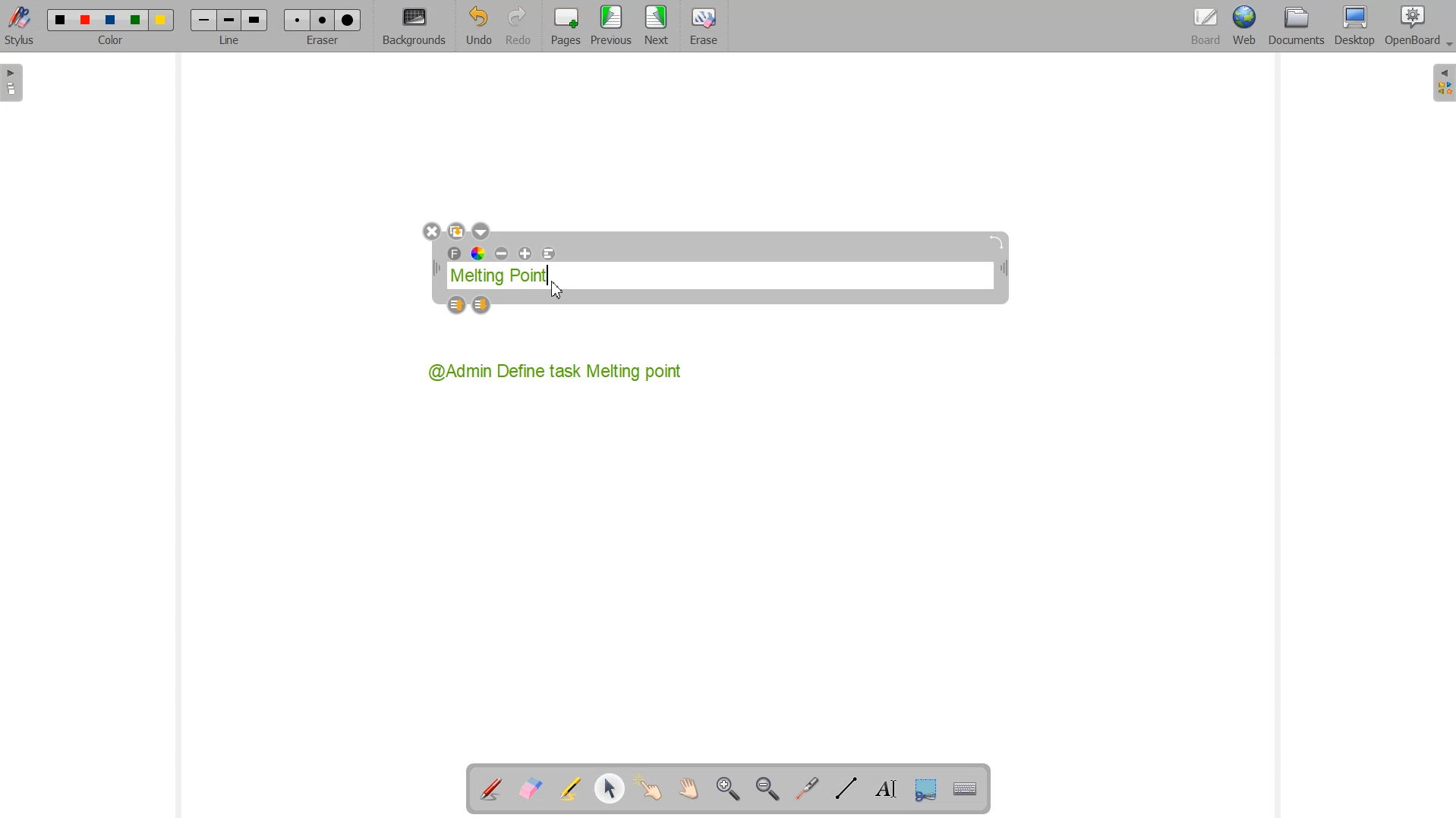  I want to click on Virtual laser Pointer, so click(807, 788).